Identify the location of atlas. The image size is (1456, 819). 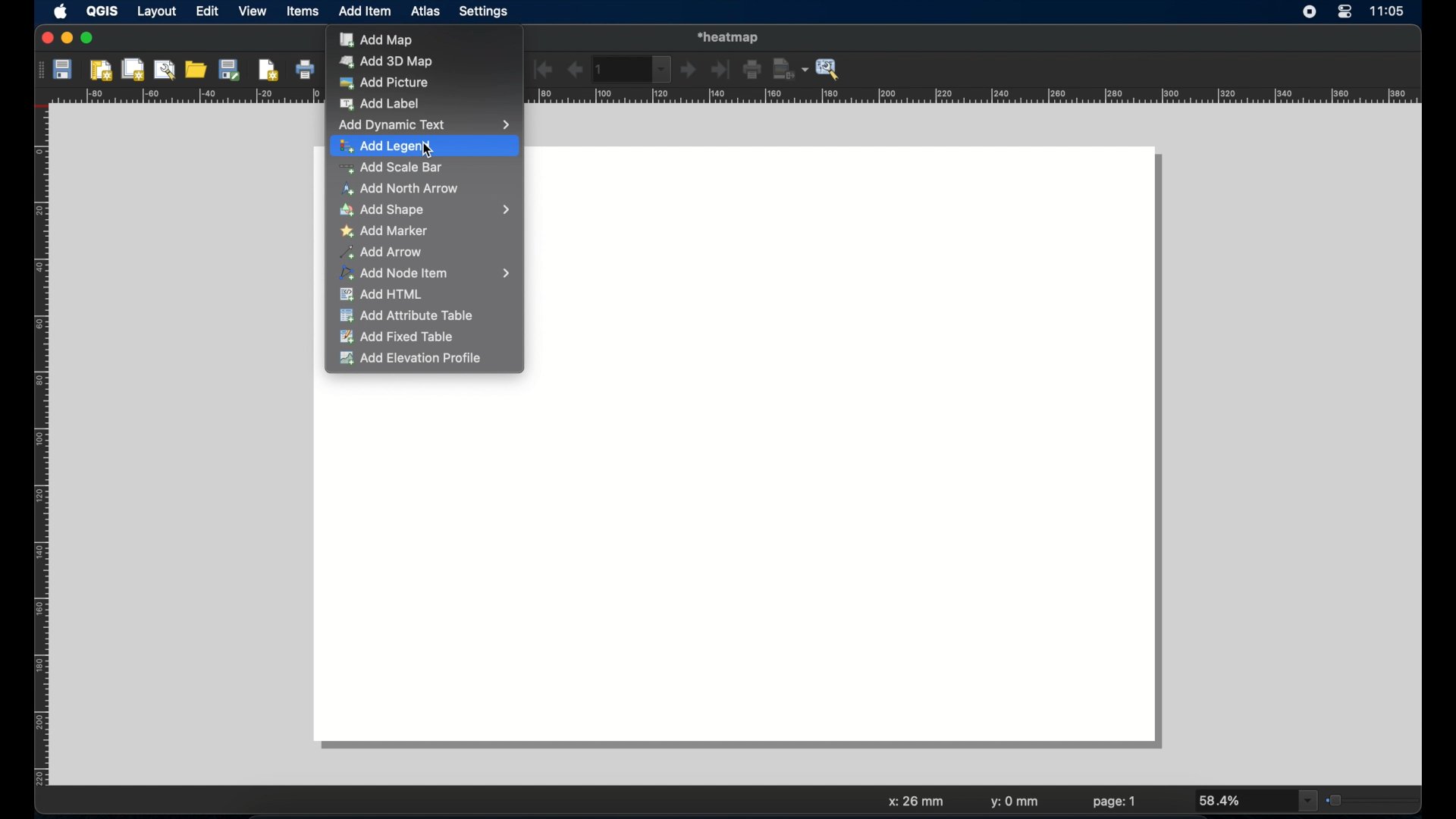
(428, 13).